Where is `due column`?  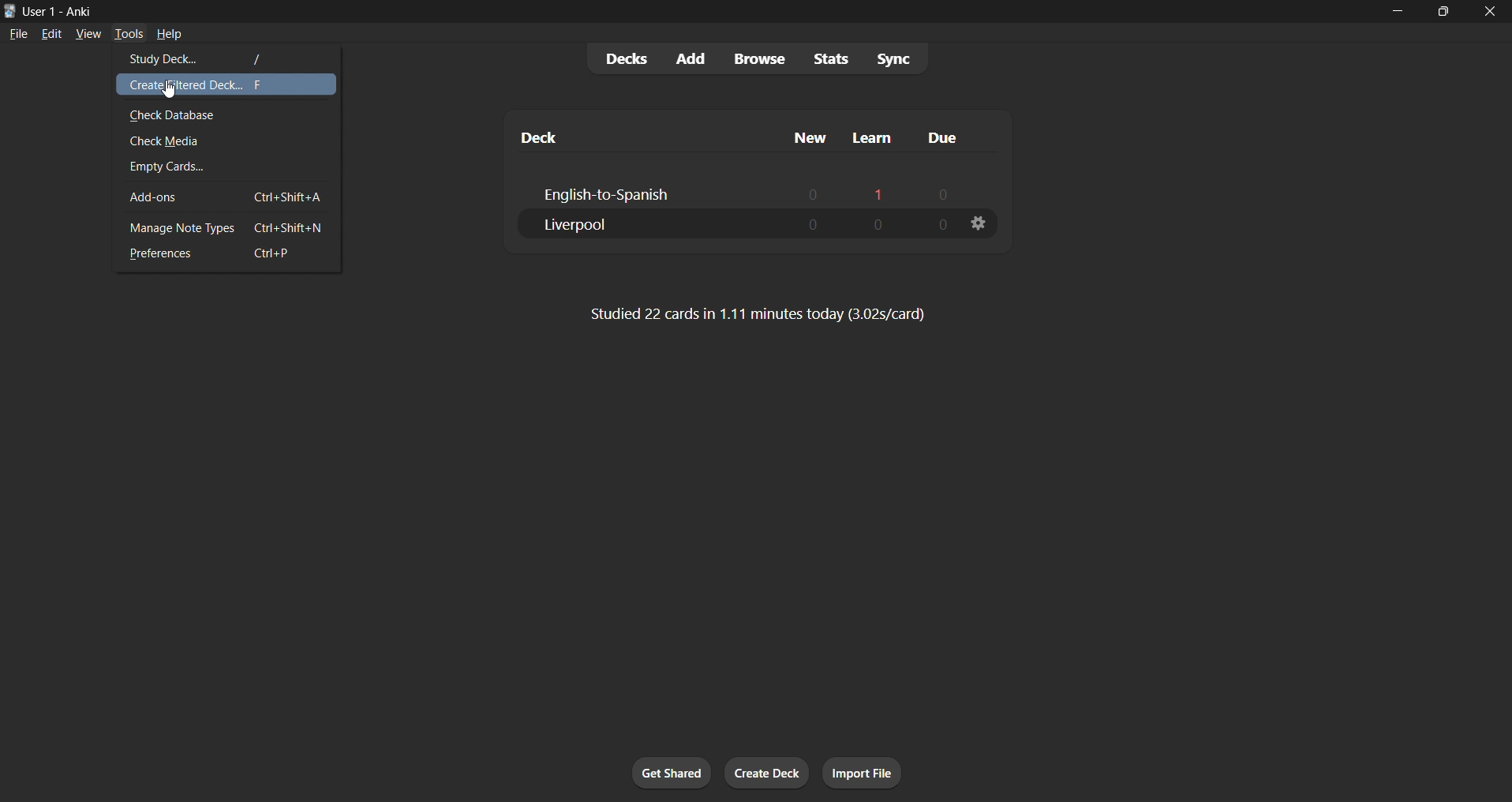
due column is located at coordinates (952, 137).